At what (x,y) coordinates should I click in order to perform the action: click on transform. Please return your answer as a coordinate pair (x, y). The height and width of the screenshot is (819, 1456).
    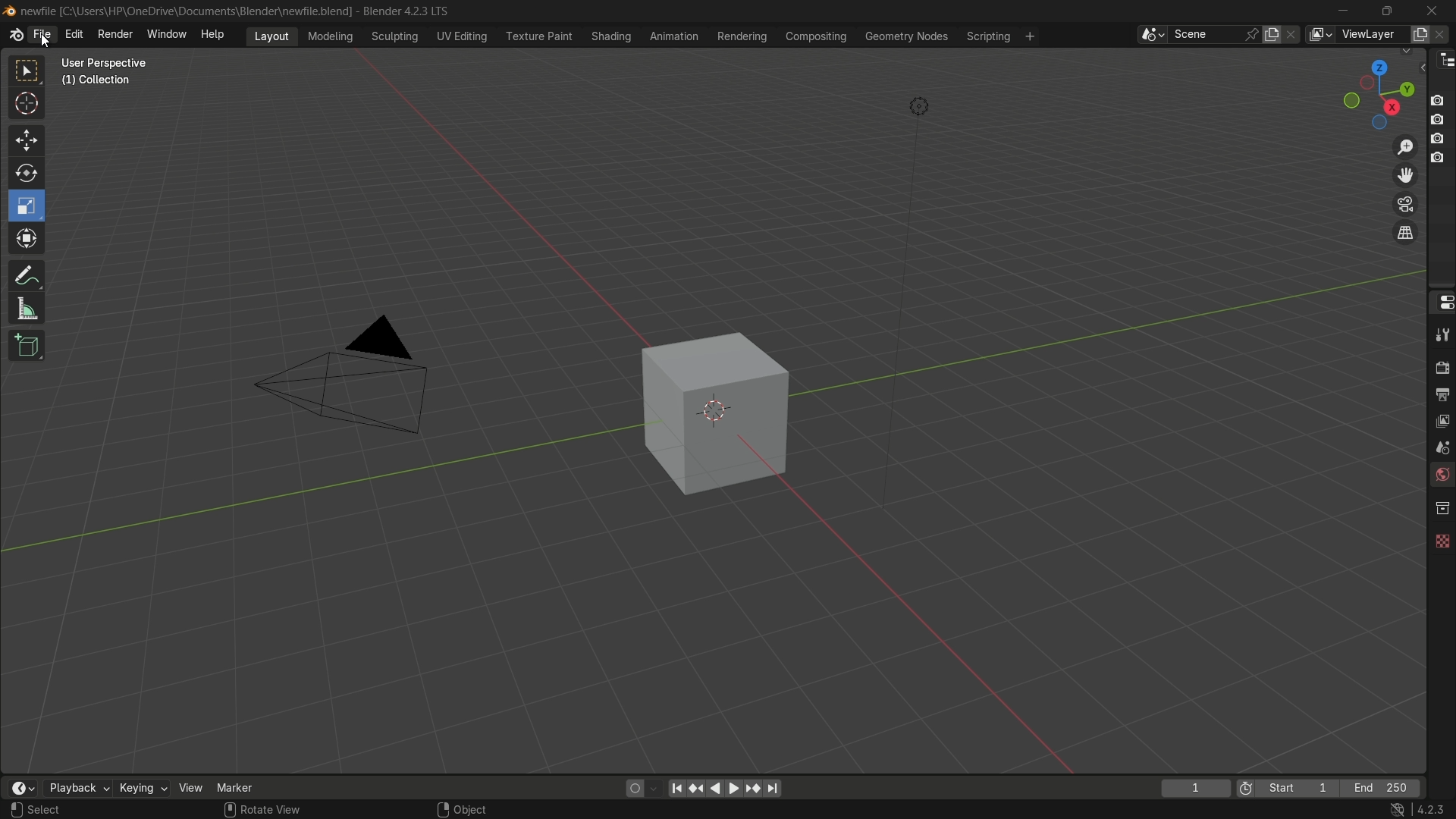
    Looking at the image, I should click on (28, 240).